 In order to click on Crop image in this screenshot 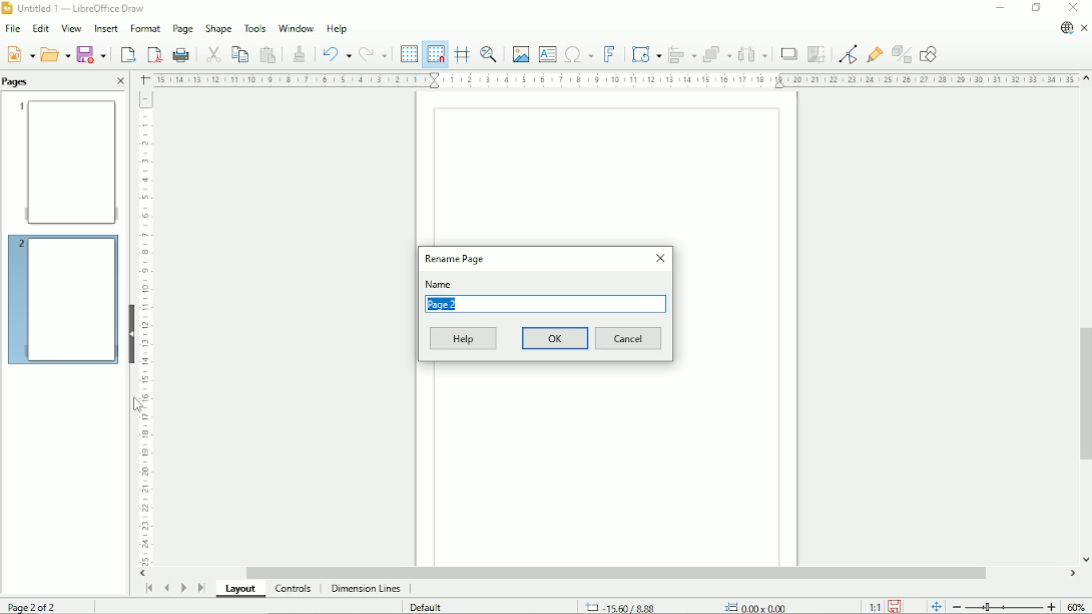, I will do `click(816, 54)`.